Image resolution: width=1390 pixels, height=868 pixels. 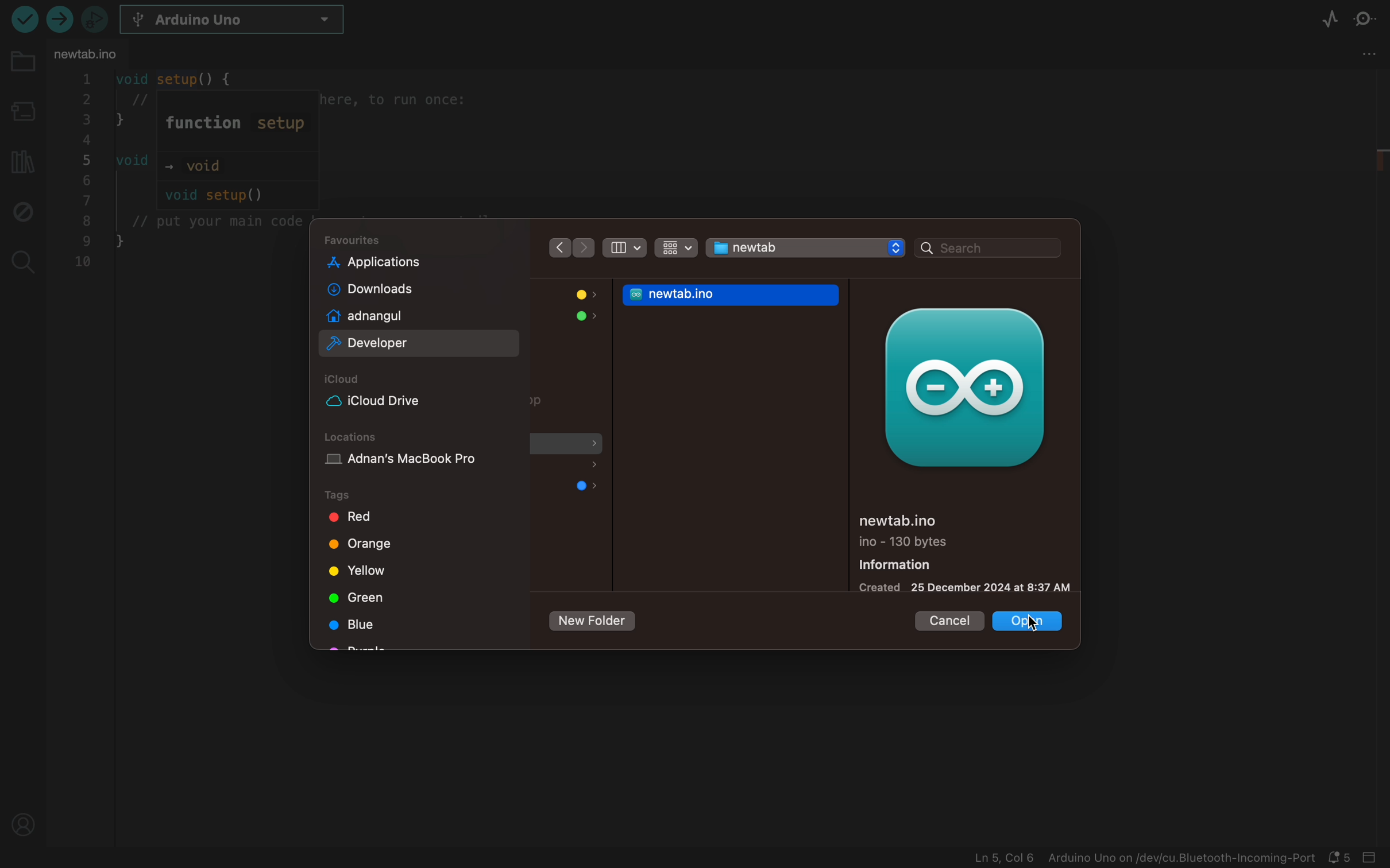 I want to click on file information, so click(x=1144, y=858).